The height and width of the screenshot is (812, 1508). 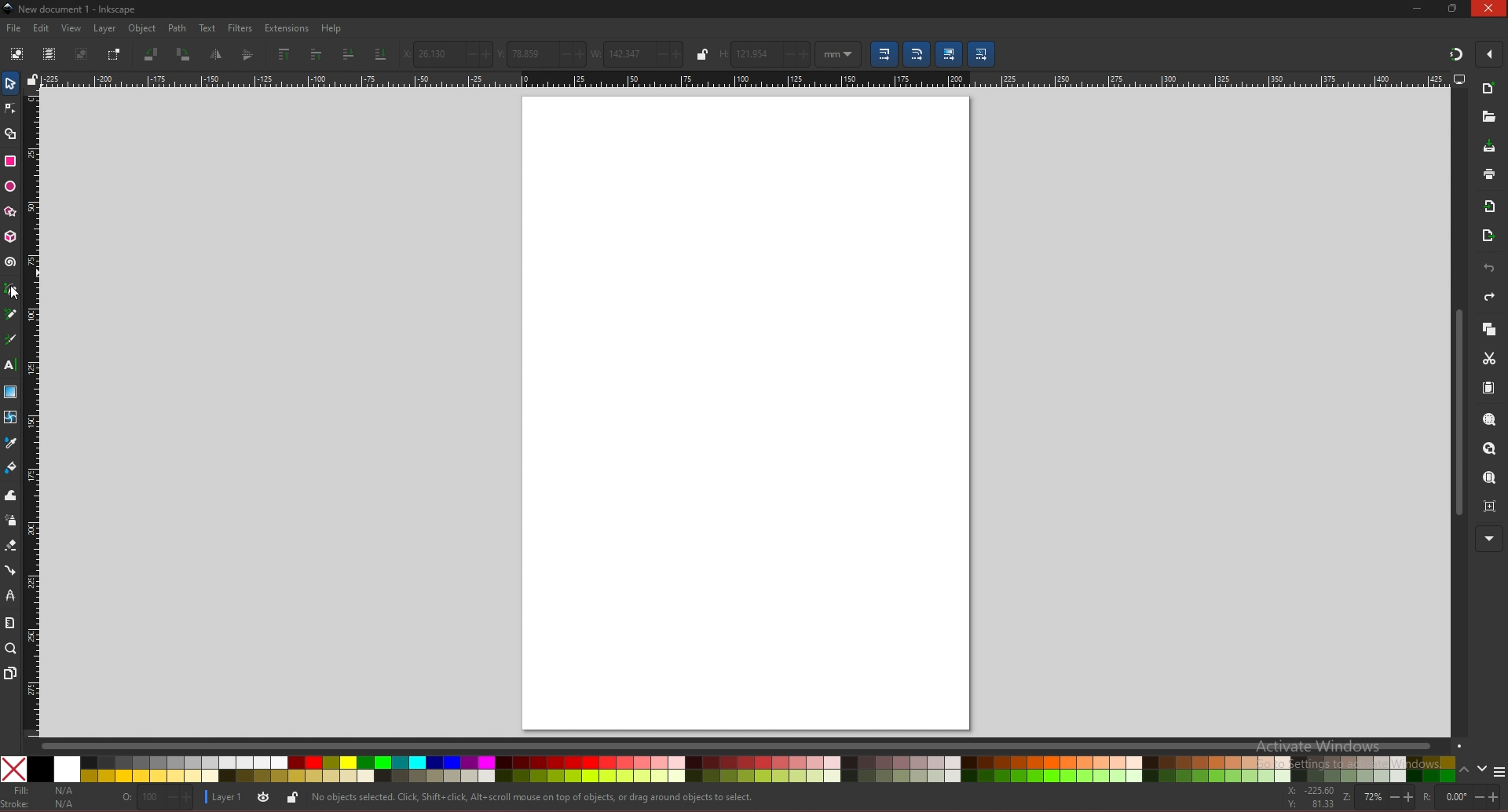 What do you see at coordinates (178, 28) in the screenshot?
I see `path` at bounding box center [178, 28].